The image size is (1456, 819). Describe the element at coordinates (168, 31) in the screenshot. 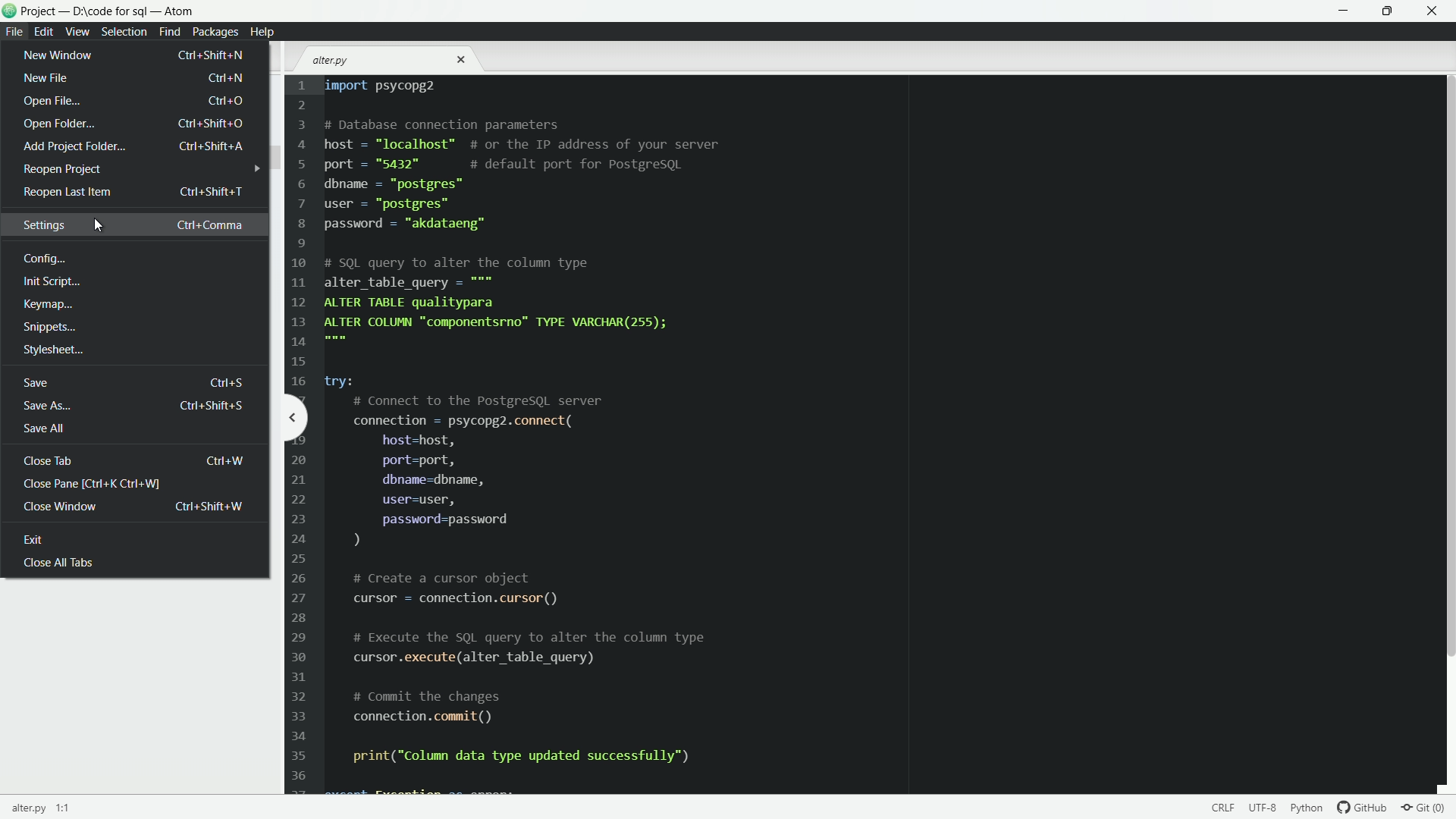

I see `find menu` at that location.